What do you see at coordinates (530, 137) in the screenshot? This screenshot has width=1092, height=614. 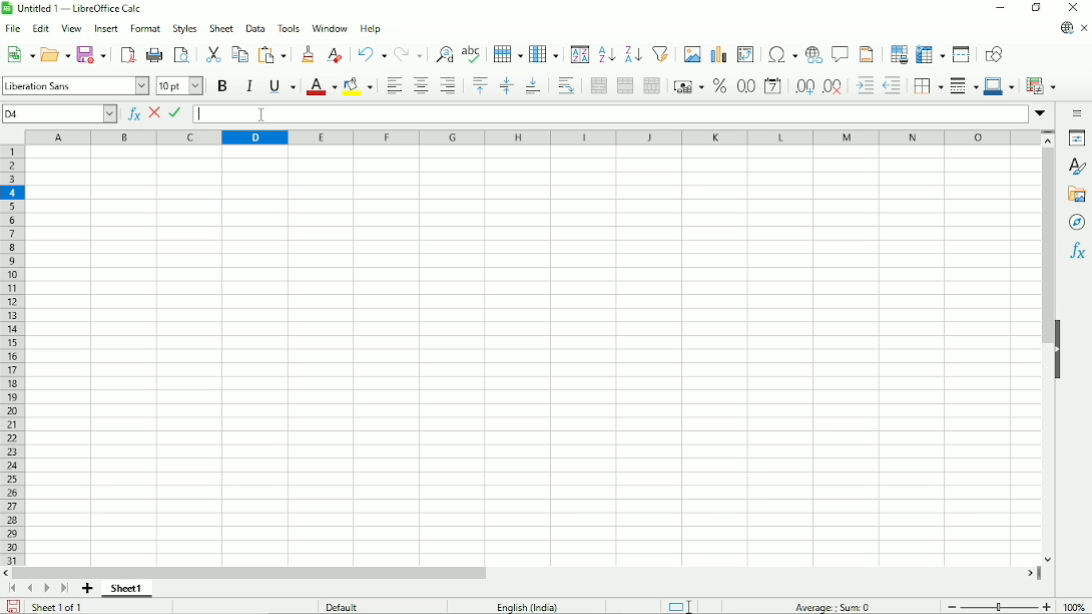 I see `Column headings` at bounding box center [530, 137].